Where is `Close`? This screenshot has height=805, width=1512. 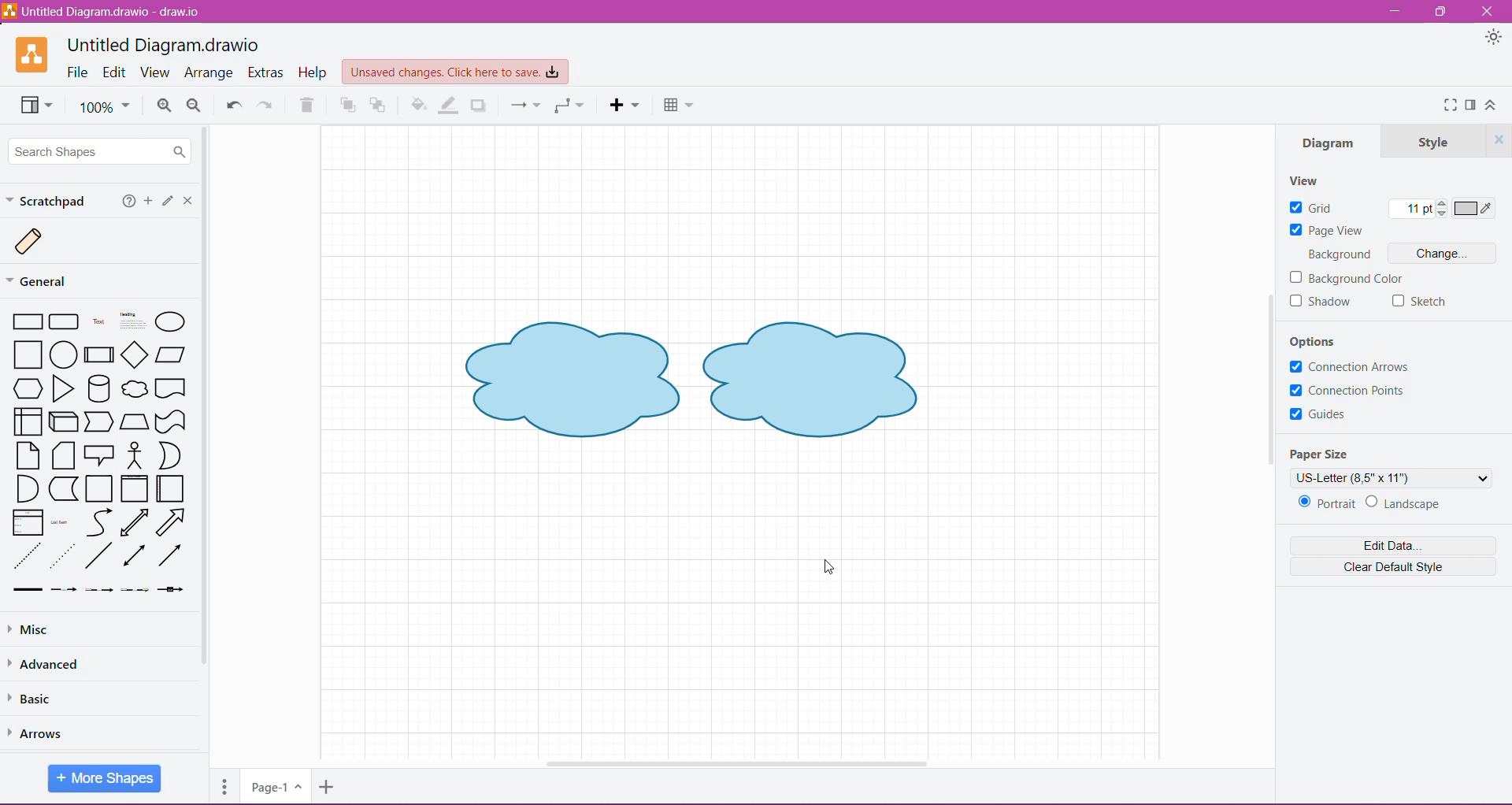
Close is located at coordinates (1499, 140).